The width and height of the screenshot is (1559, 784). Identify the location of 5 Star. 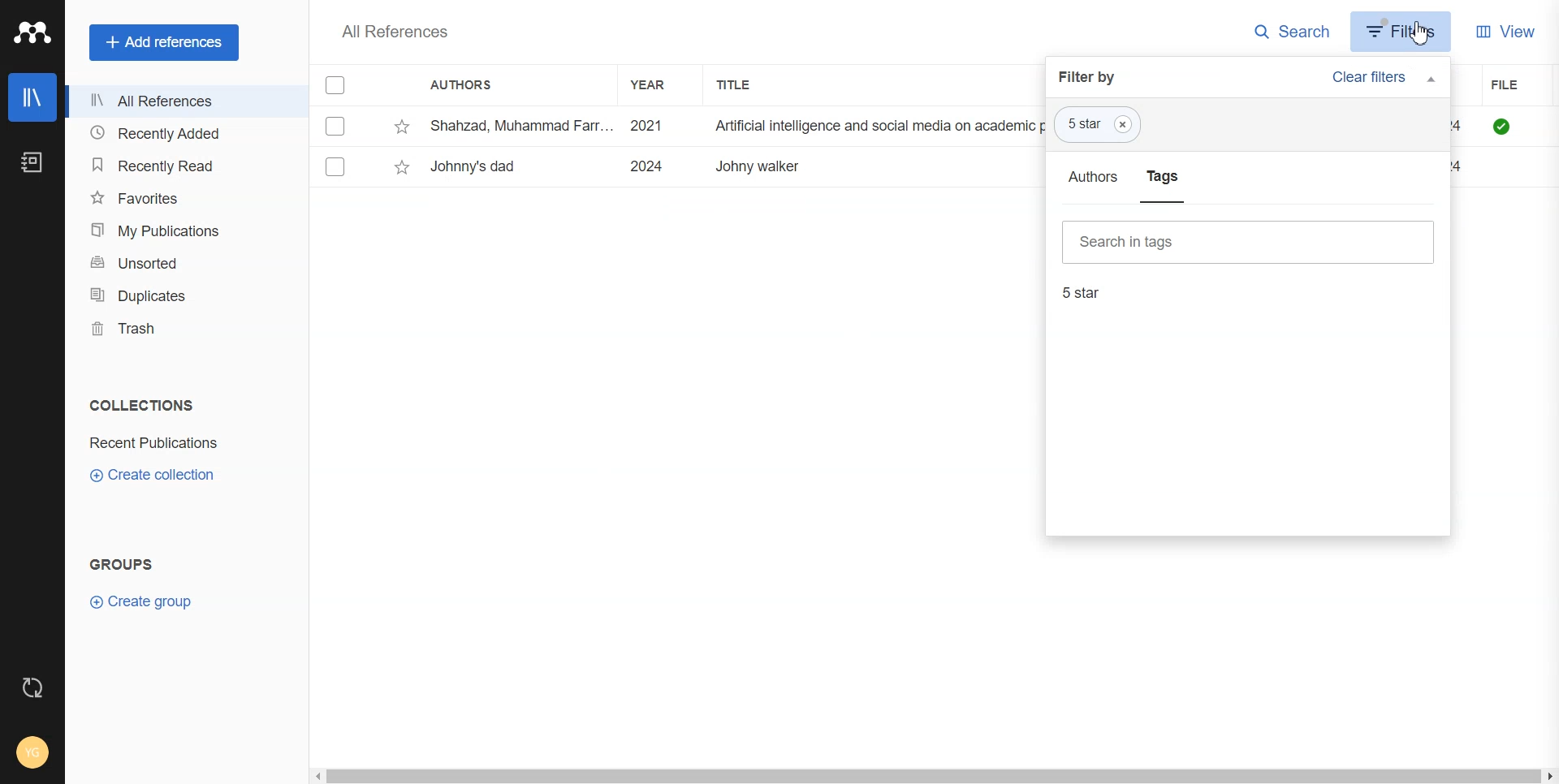
(1081, 124).